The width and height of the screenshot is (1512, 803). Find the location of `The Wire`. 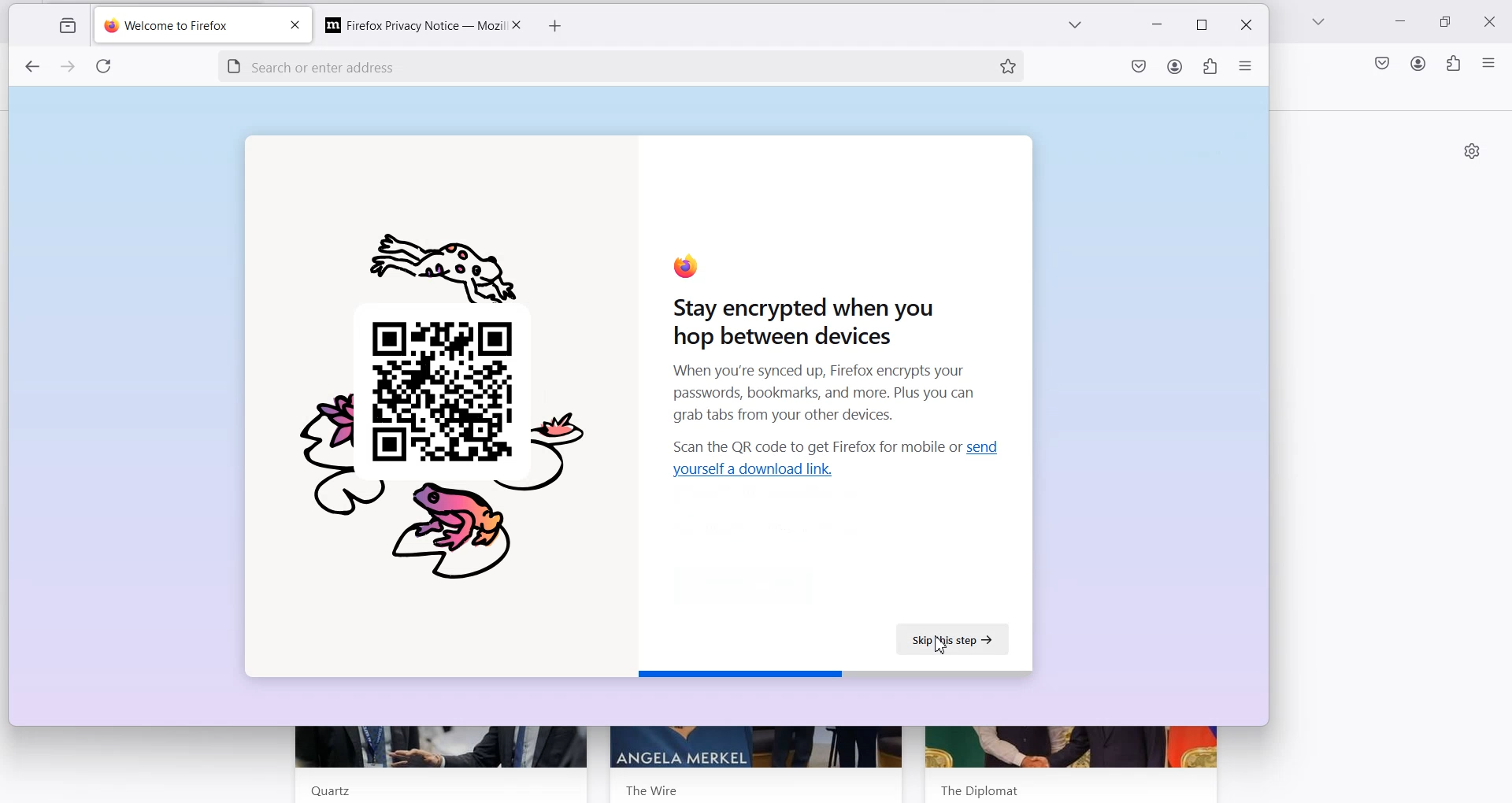

The Wire is located at coordinates (654, 787).